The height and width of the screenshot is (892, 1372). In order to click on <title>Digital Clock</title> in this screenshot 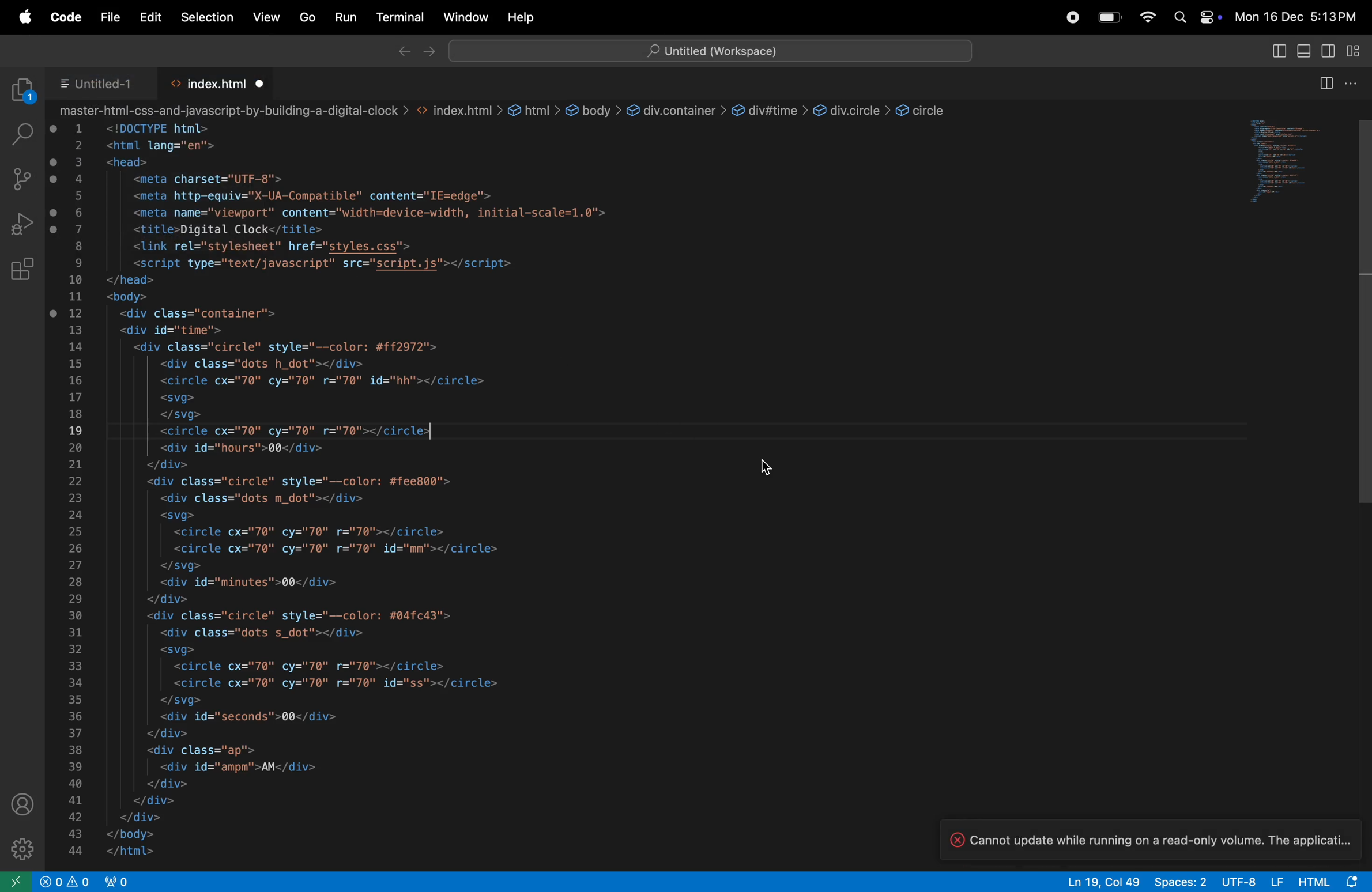, I will do `click(228, 229)`.